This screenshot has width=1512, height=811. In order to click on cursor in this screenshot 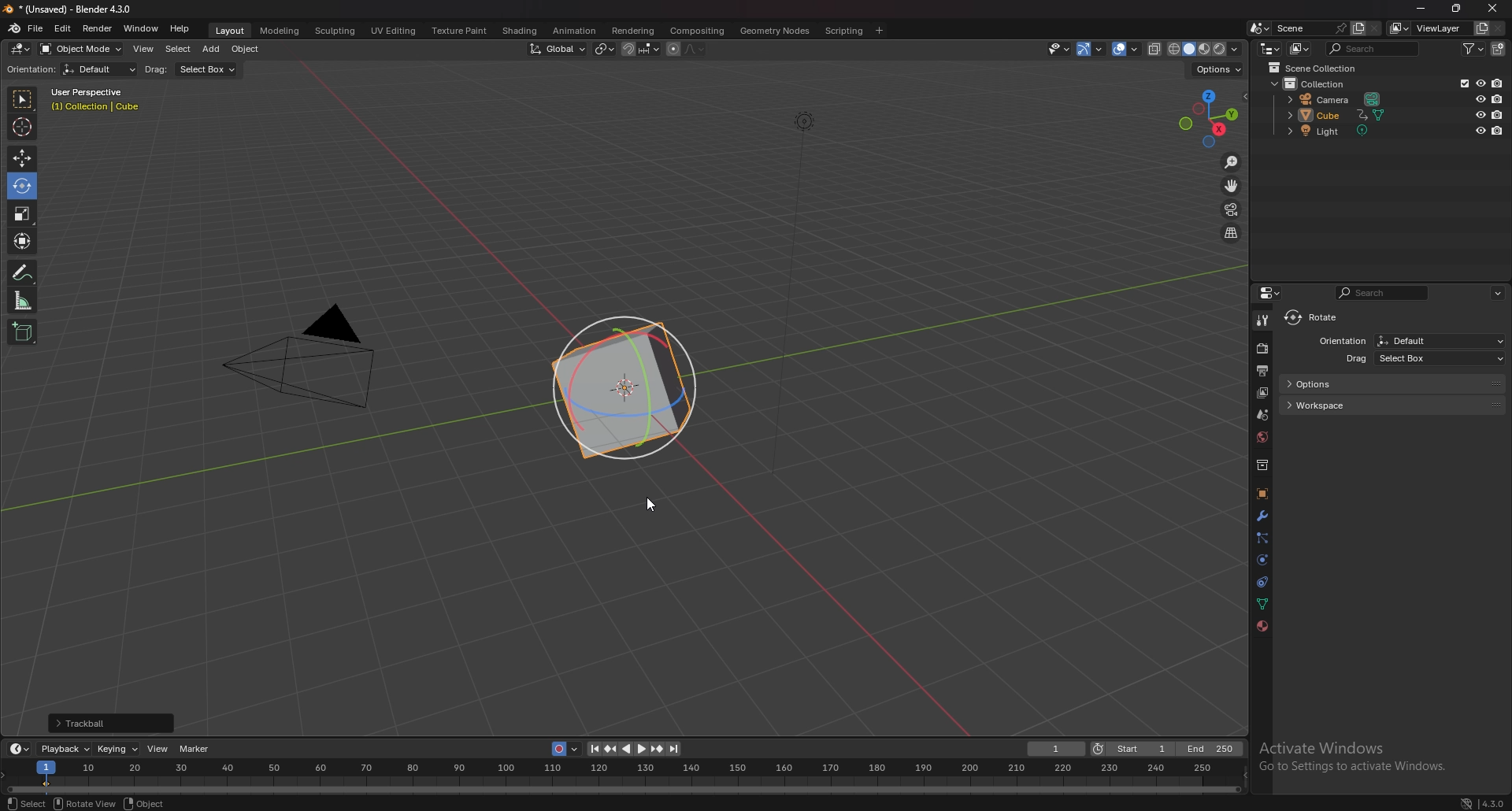, I will do `click(654, 510)`.